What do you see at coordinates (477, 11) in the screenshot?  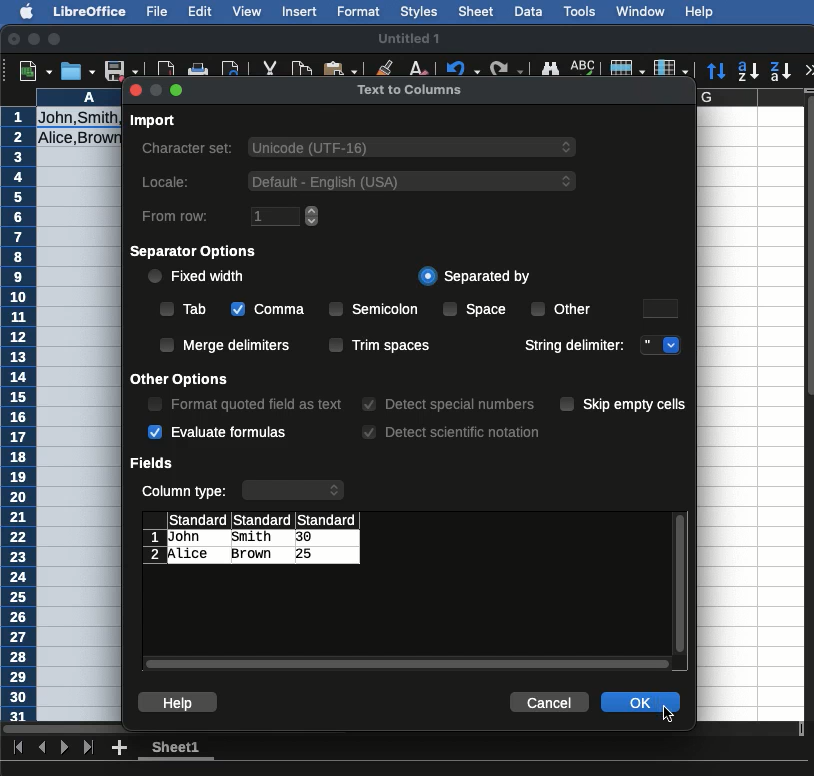 I see `Sheet` at bounding box center [477, 11].